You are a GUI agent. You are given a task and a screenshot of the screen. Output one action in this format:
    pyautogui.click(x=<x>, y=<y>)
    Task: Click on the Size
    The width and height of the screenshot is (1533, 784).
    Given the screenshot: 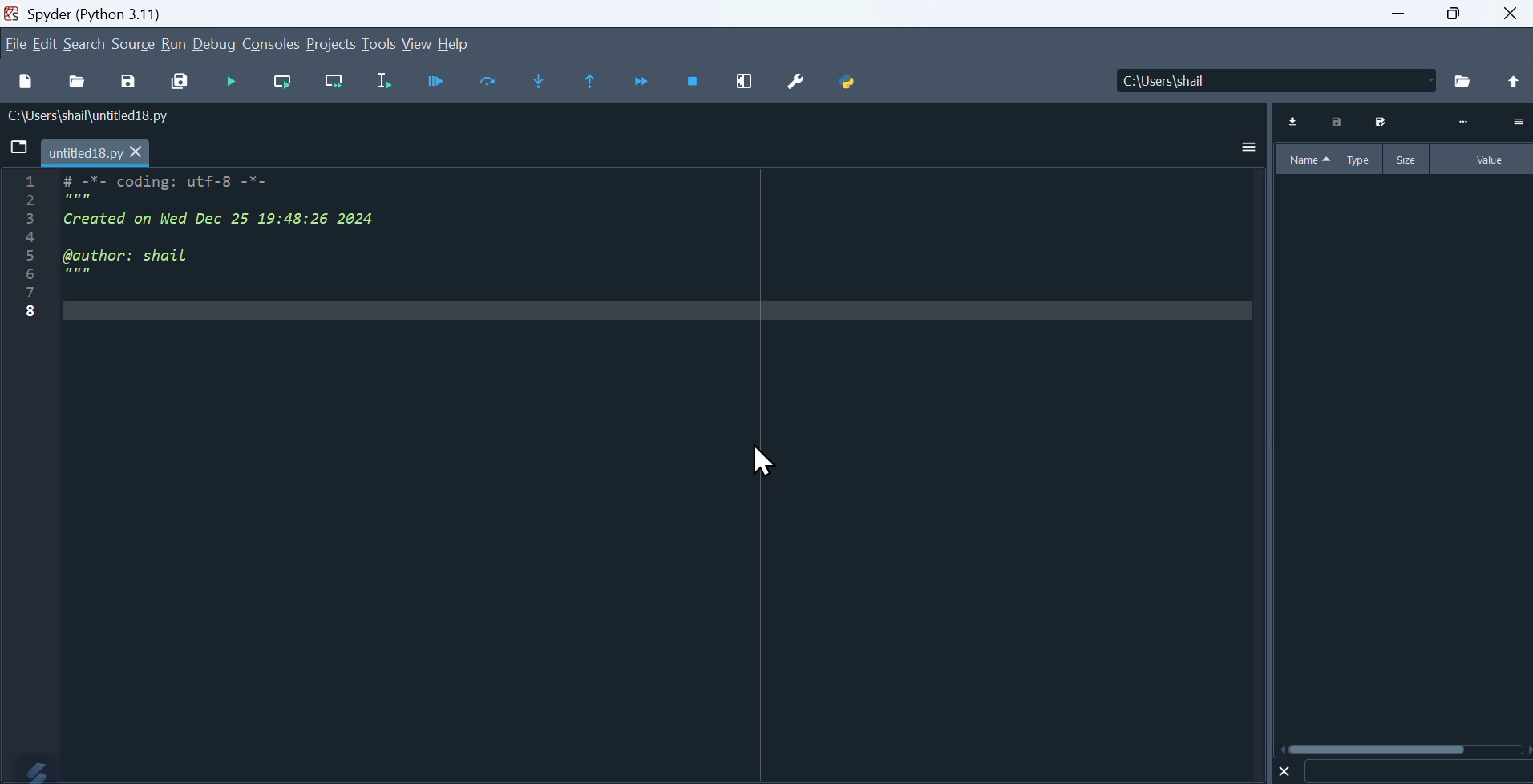 What is the action you would take?
    pyautogui.click(x=1408, y=159)
    